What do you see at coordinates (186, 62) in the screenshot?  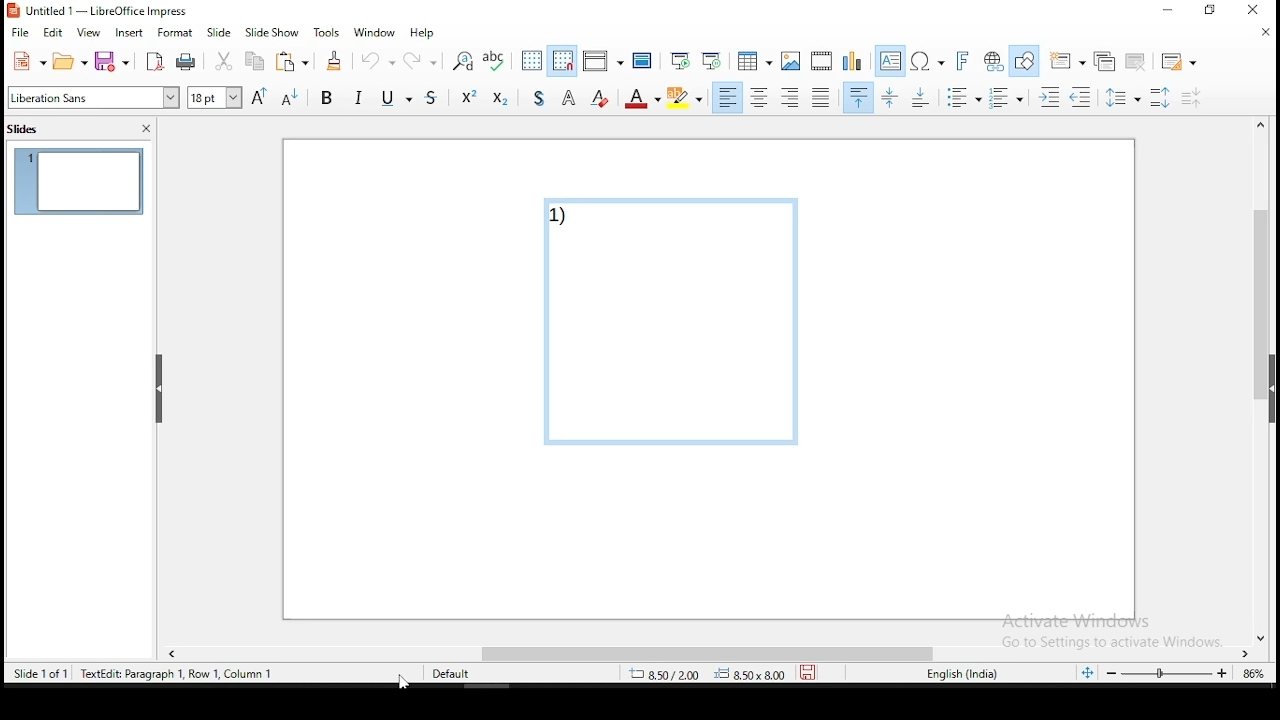 I see `print` at bounding box center [186, 62].